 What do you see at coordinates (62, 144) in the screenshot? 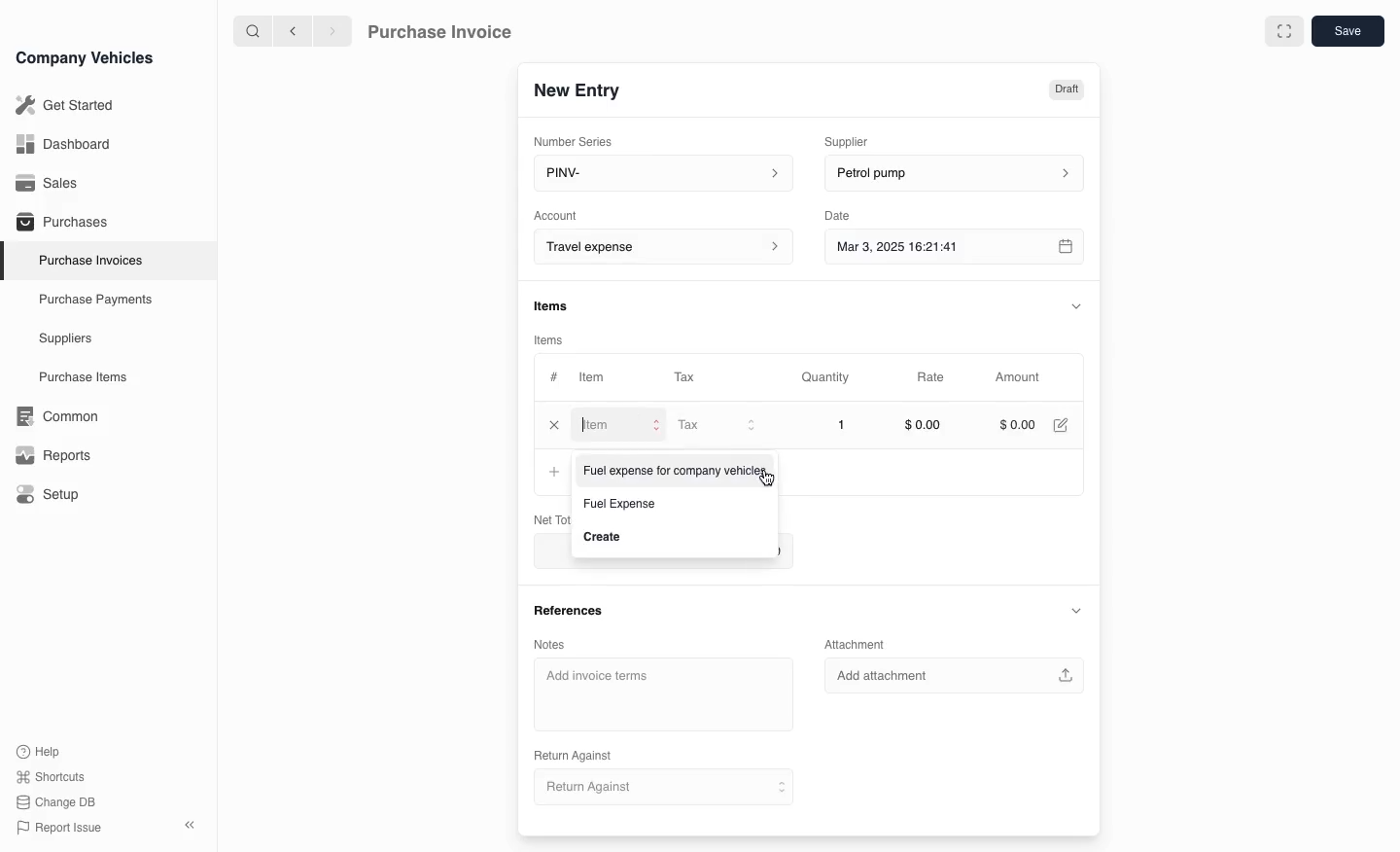
I see `Dashboard` at bounding box center [62, 144].